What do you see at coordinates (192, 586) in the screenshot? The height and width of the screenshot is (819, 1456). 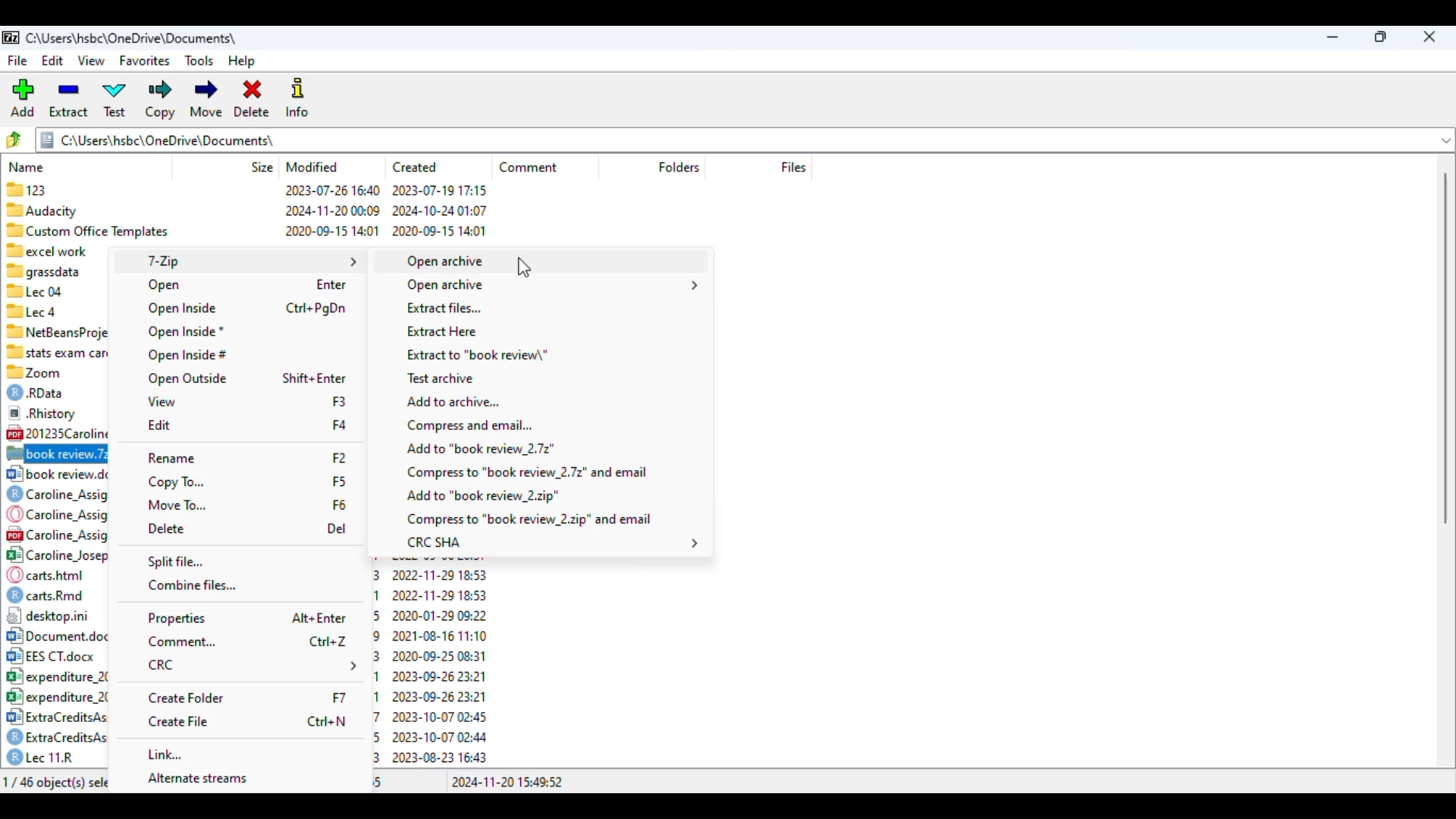 I see `combine files` at bounding box center [192, 586].